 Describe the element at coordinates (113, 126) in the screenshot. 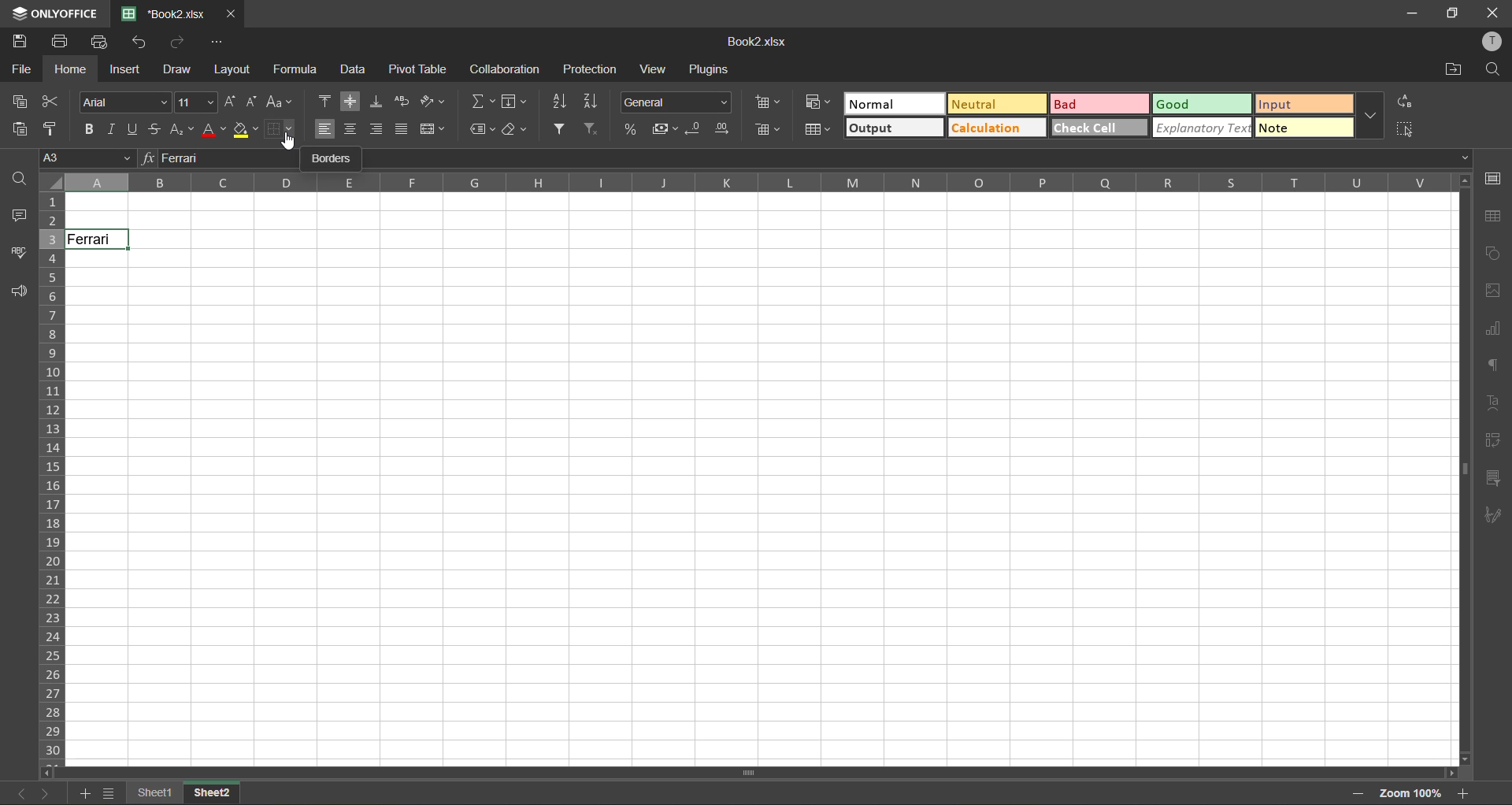

I see `italic` at that location.